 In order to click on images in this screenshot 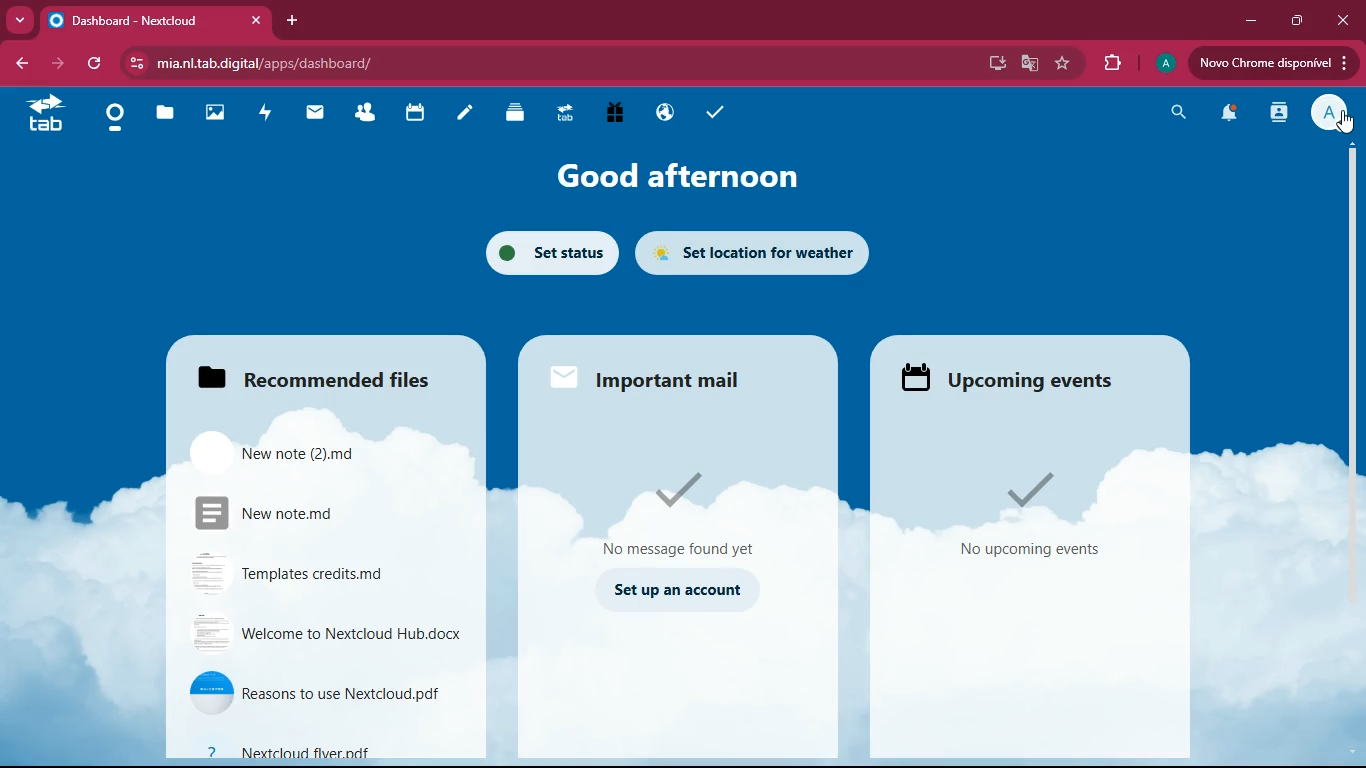, I will do `click(212, 114)`.